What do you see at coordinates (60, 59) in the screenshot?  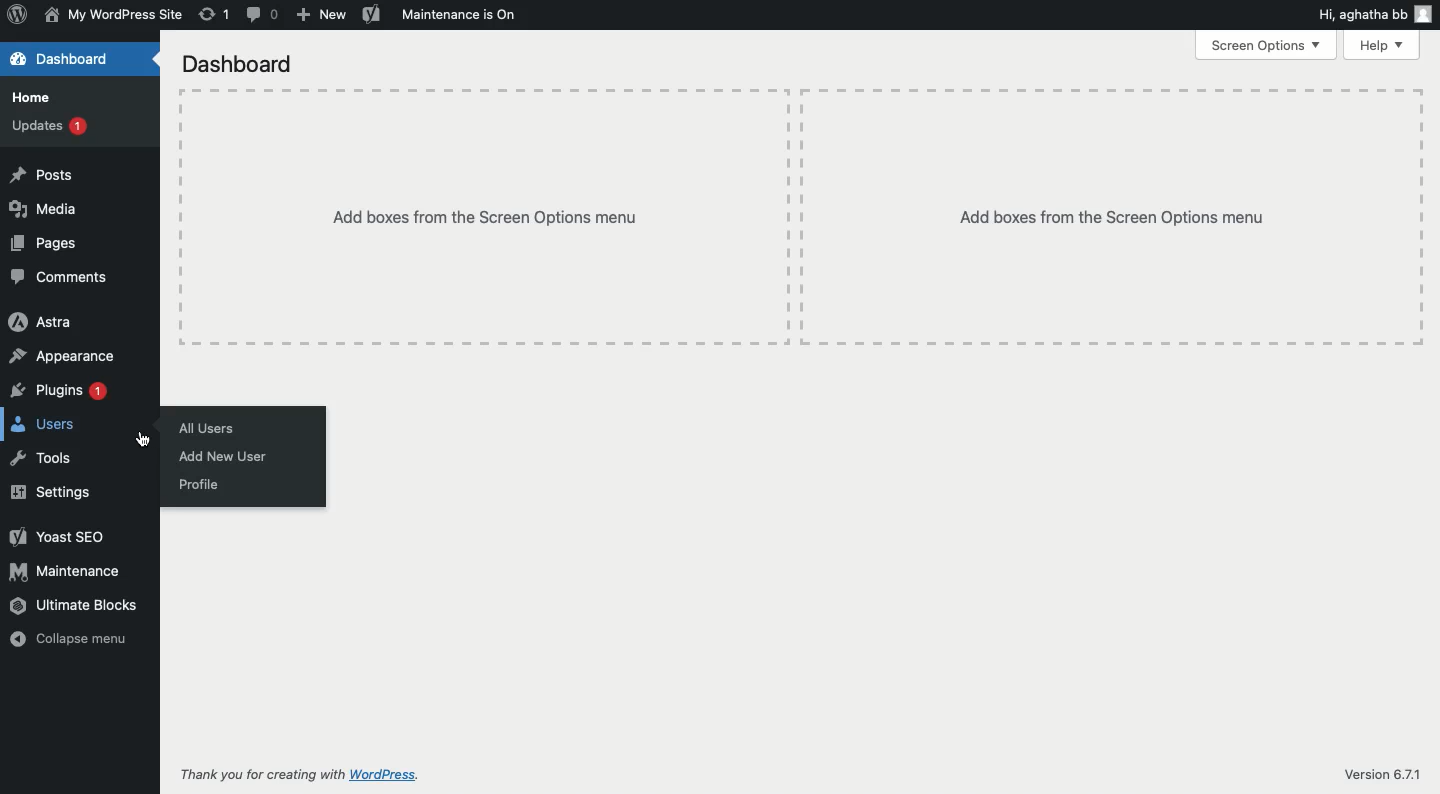 I see `Dashboard` at bounding box center [60, 59].